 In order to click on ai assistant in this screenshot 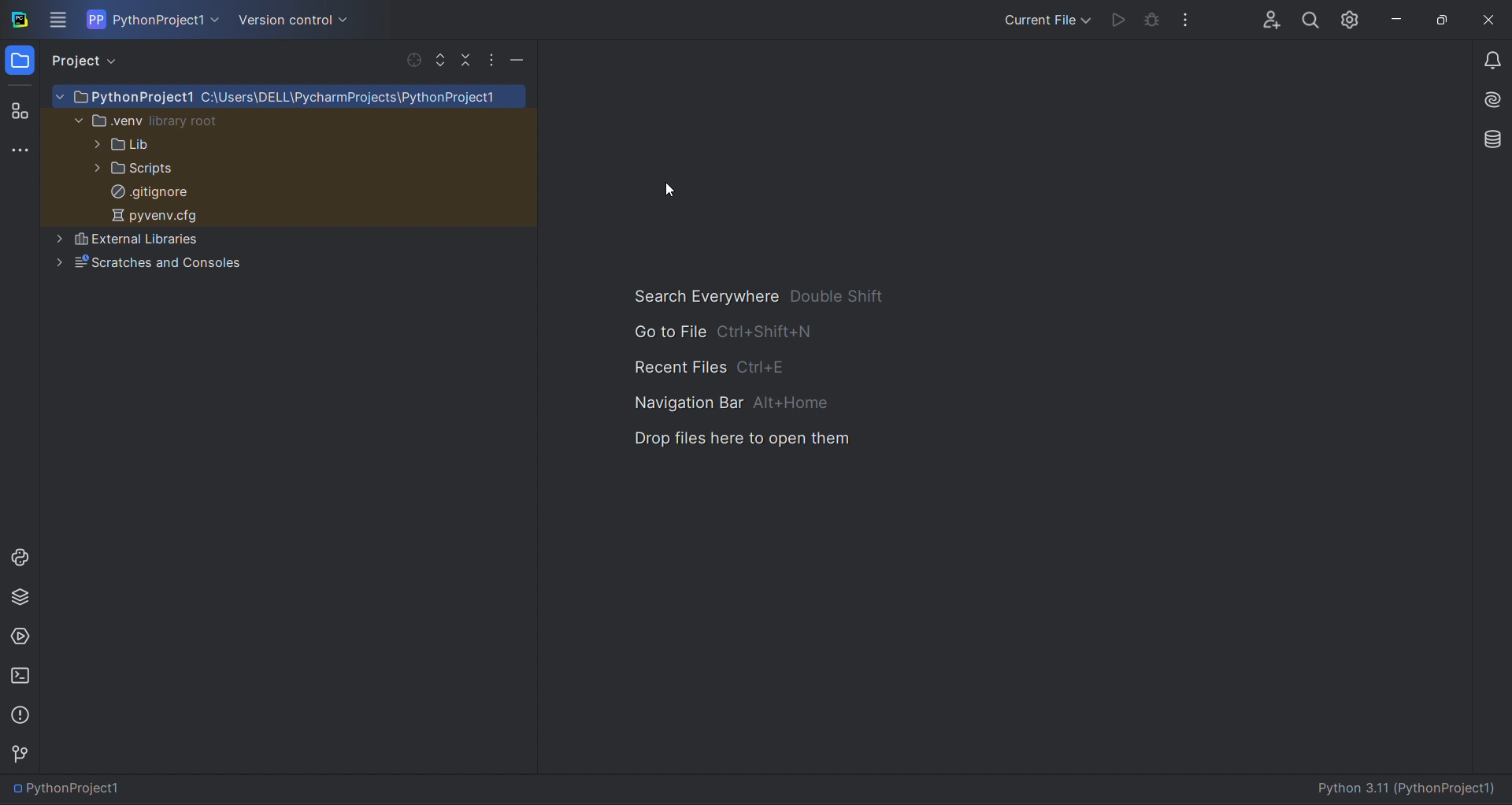, I will do `click(1490, 95)`.